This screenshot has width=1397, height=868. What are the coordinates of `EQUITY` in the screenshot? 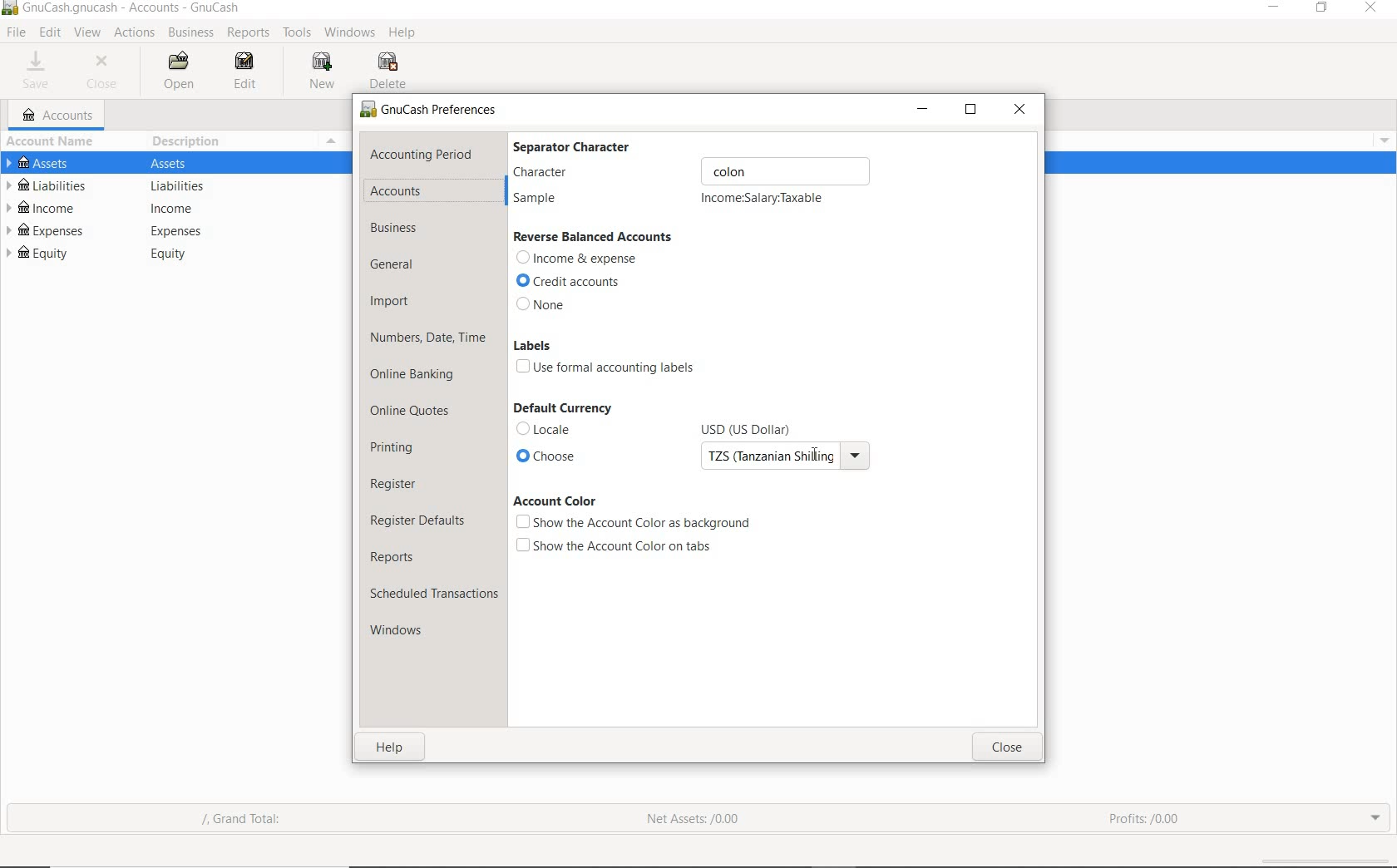 It's located at (41, 255).